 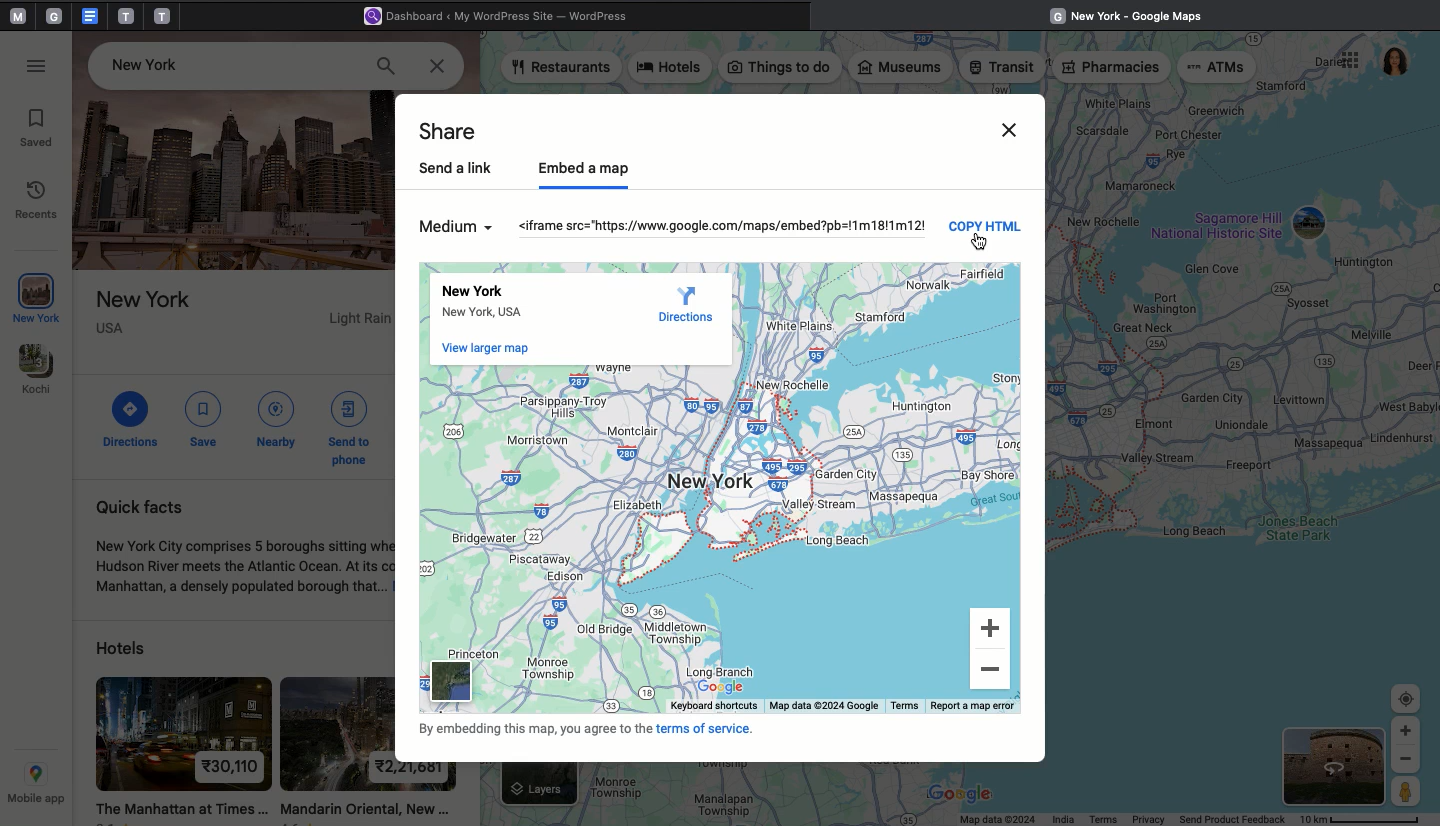 I want to click on hotel 1, so click(x=179, y=741).